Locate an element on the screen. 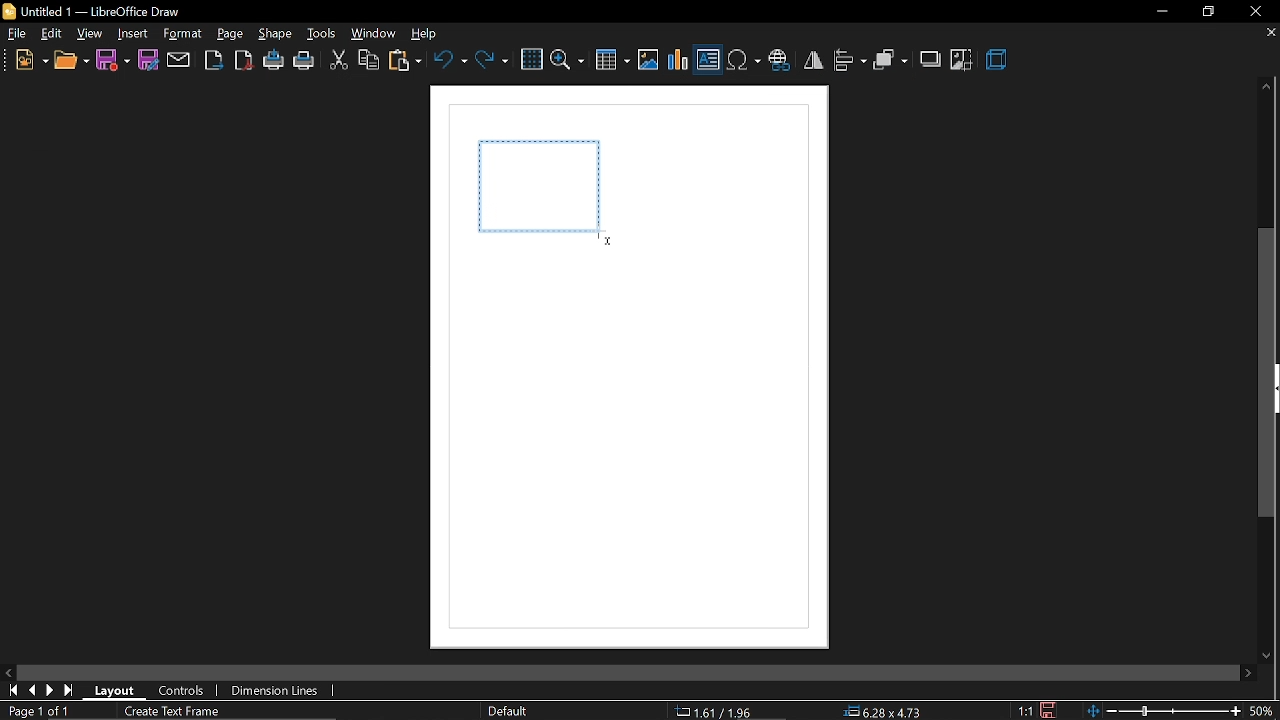  window is located at coordinates (374, 34).